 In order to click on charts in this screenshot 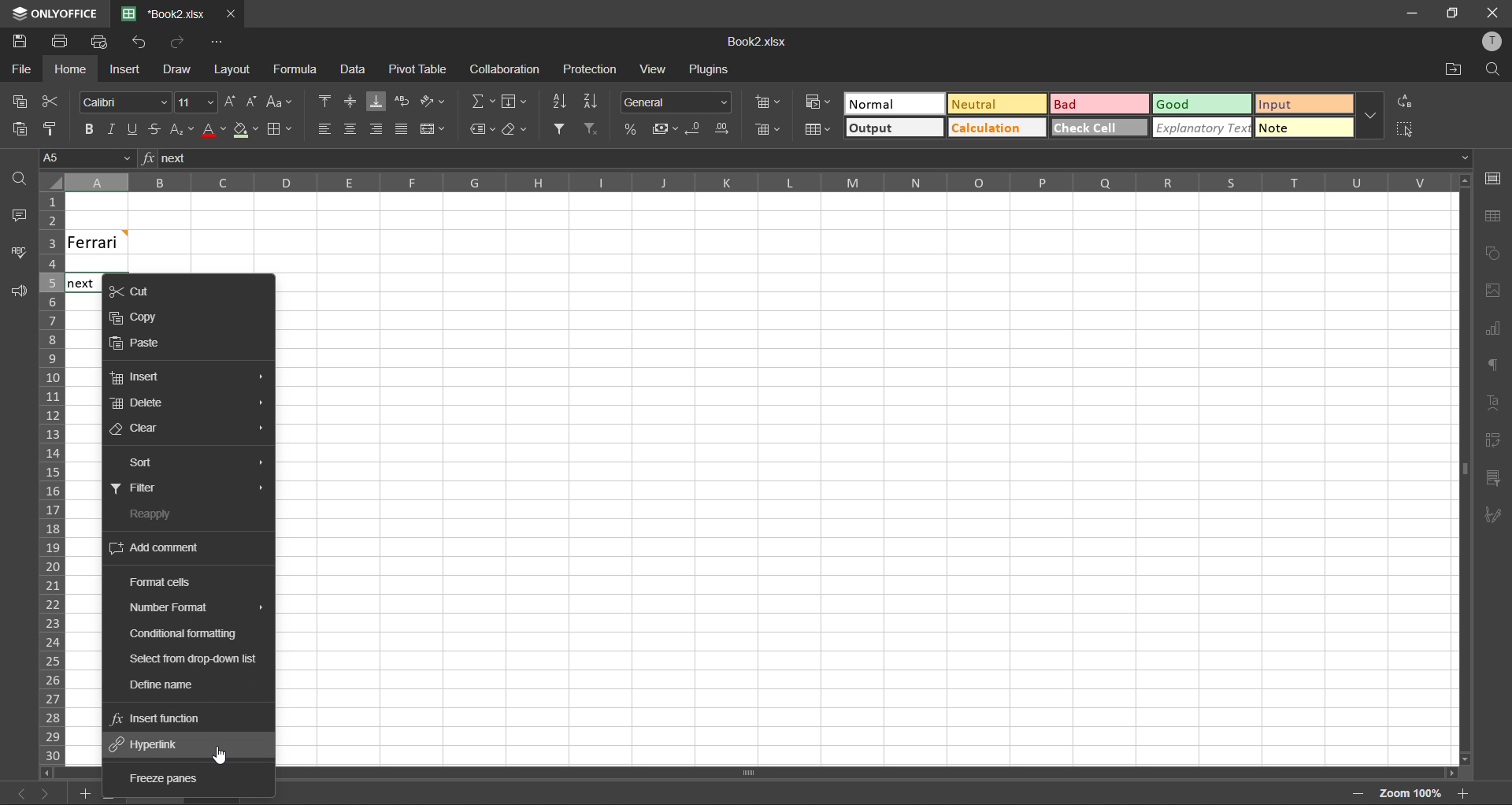, I will do `click(1492, 329)`.